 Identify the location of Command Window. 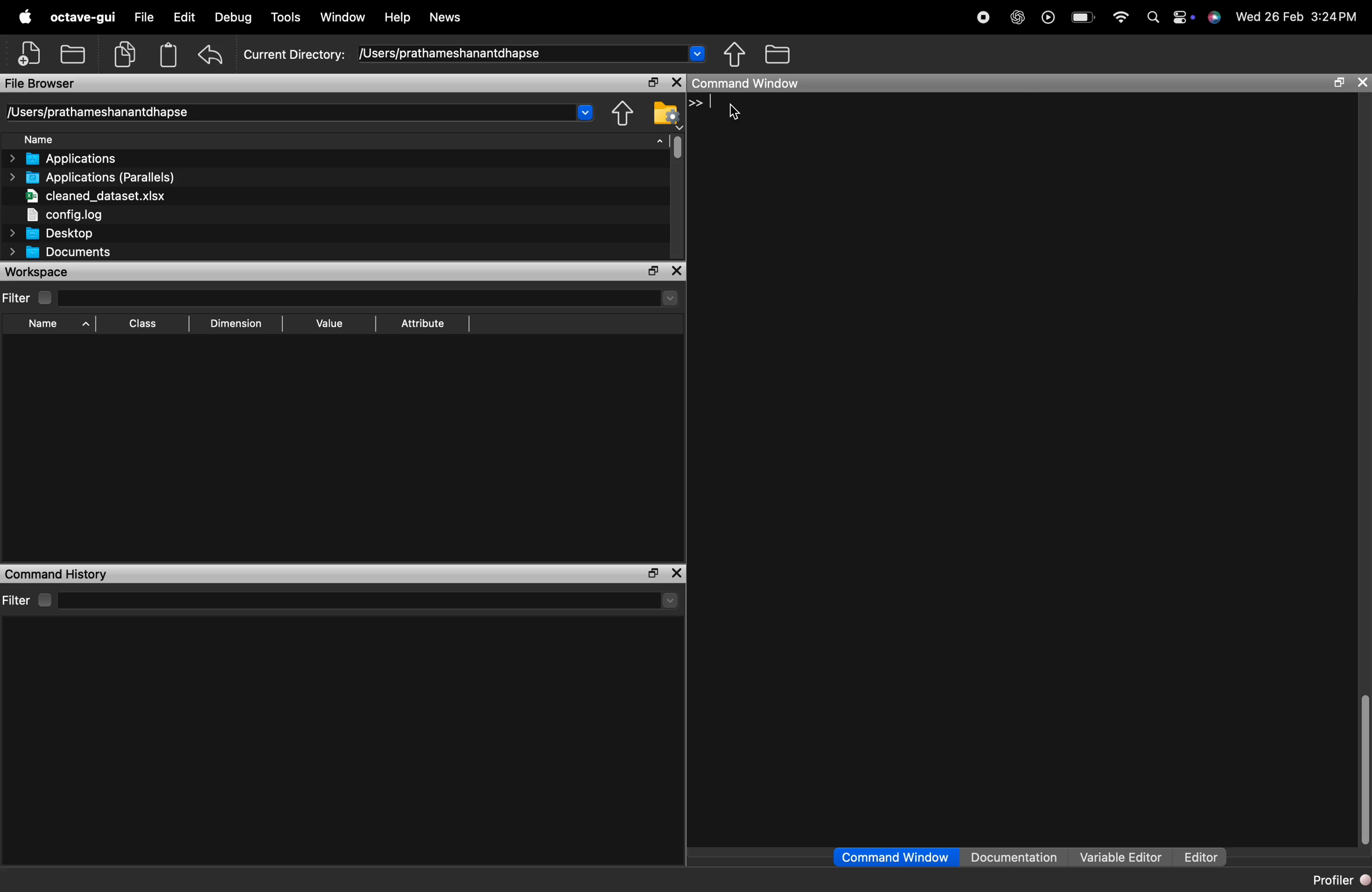
(749, 83).